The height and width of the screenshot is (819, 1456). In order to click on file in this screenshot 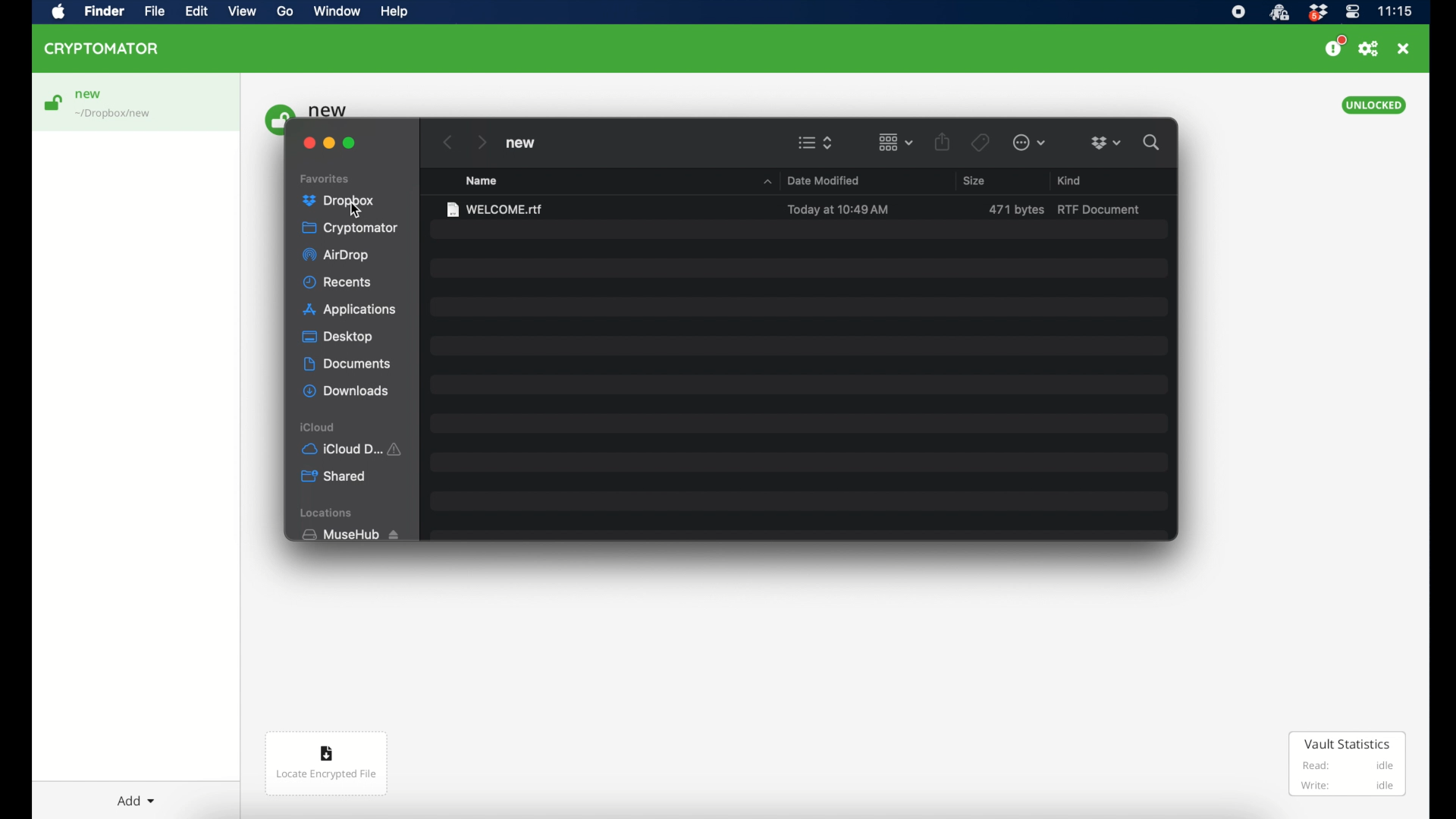, I will do `click(154, 11)`.